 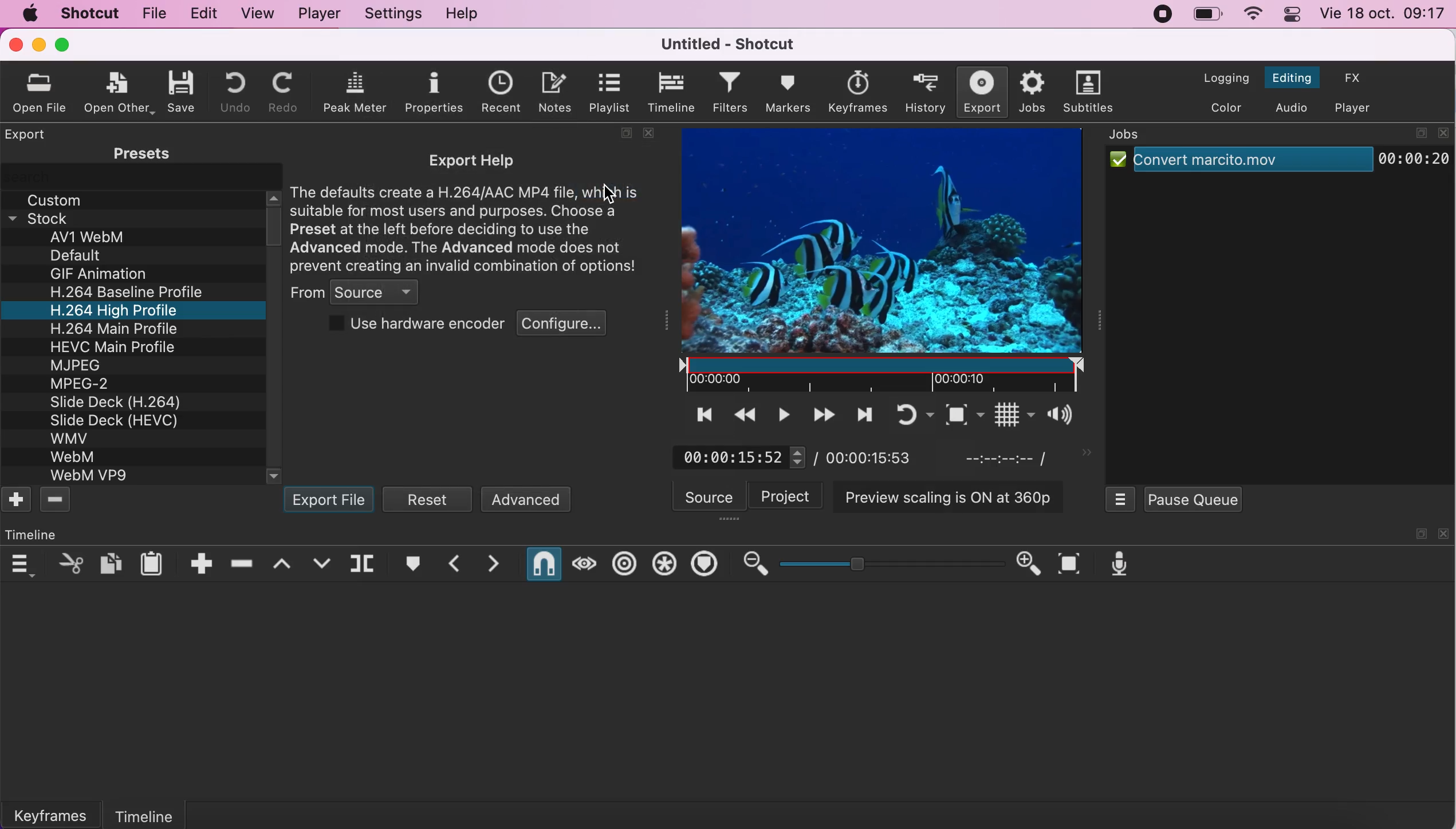 What do you see at coordinates (1136, 136) in the screenshot?
I see `jobs panel` at bounding box center [1136, 136].